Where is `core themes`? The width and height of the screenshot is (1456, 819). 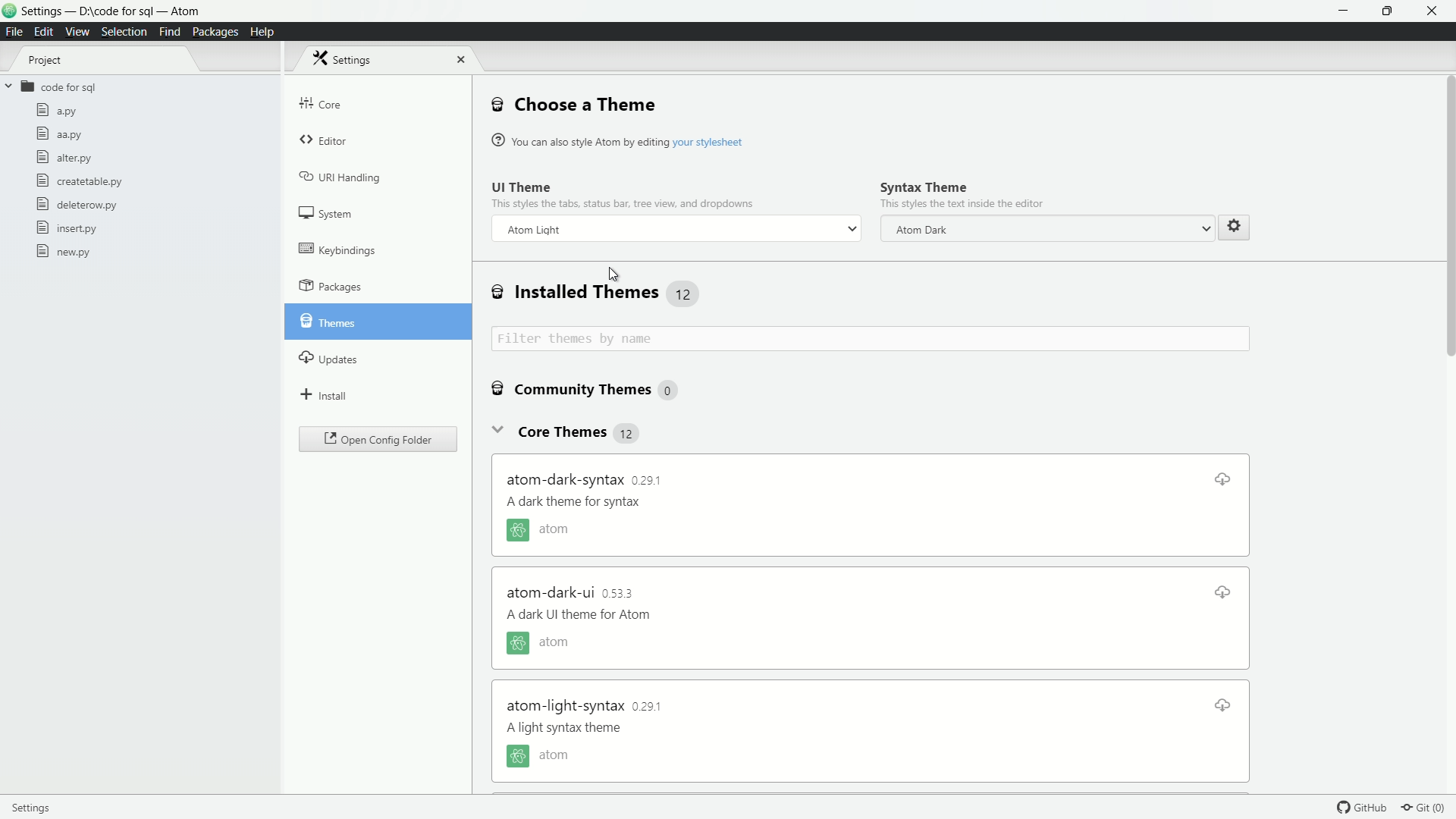
core themes is located at coordinates (581, 431).